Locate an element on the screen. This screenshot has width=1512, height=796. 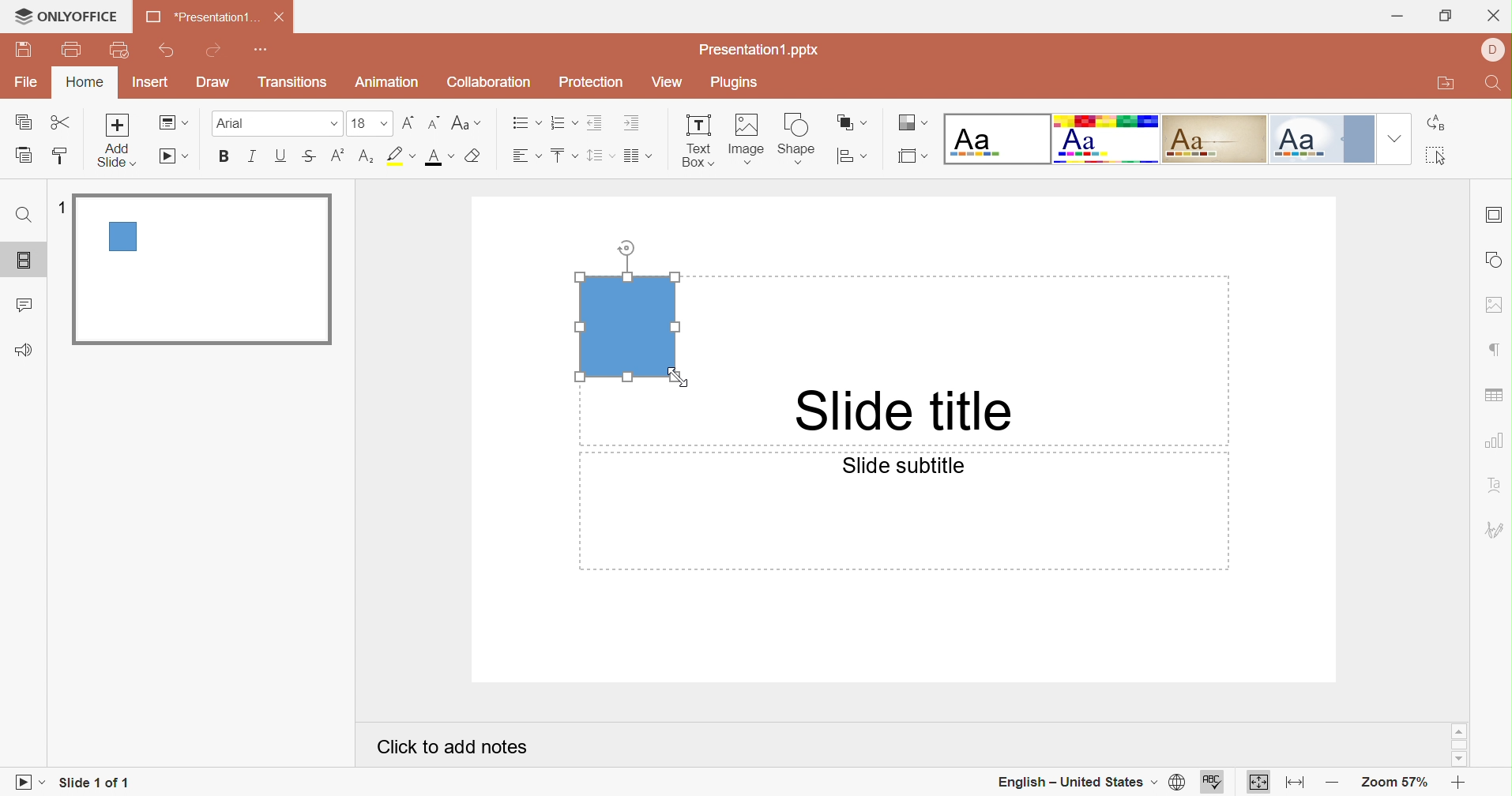
Decrease indent is located at coordinates (596, 122).